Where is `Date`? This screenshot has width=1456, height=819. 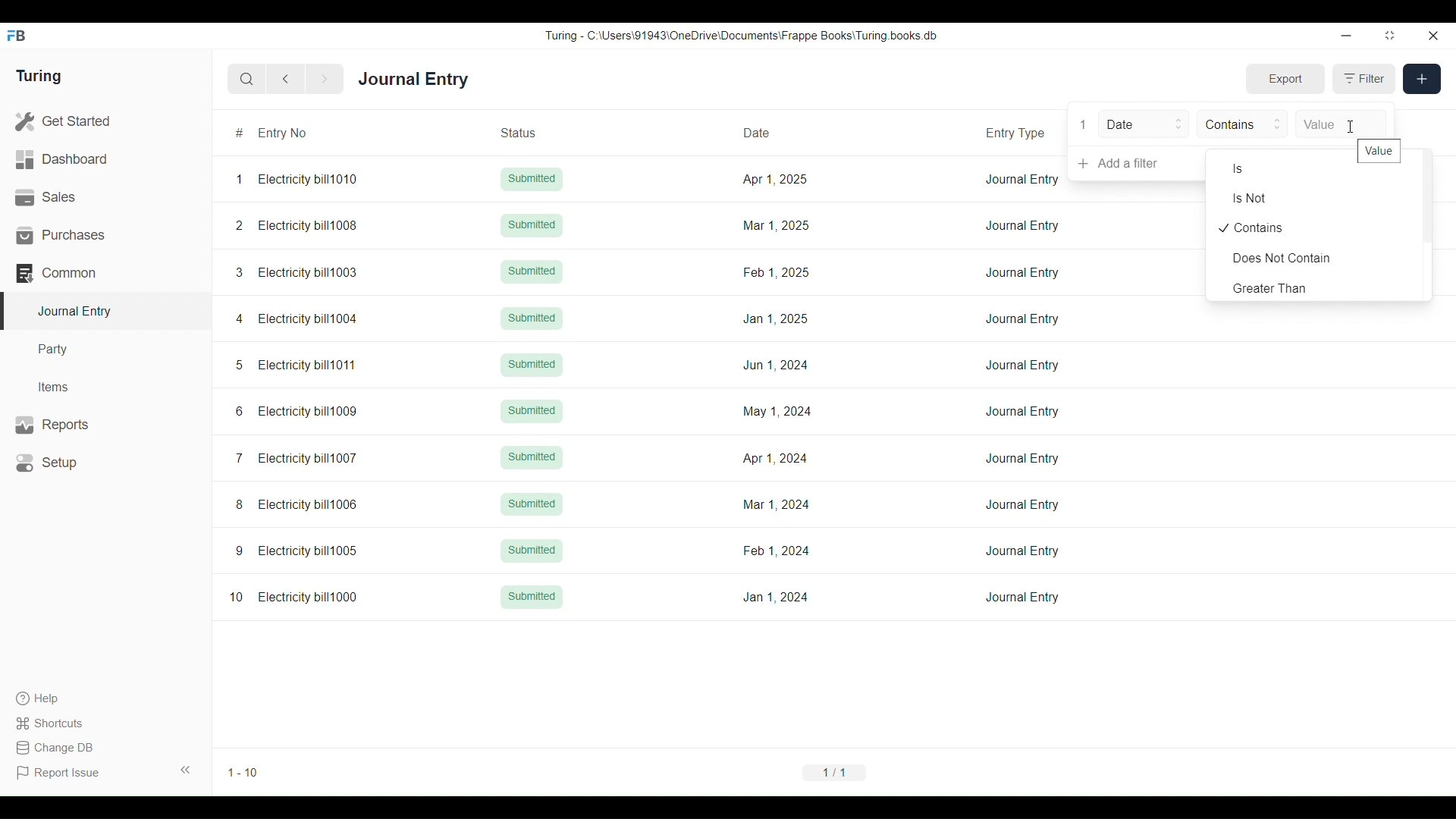
Date is located at coordinates (775, 131).